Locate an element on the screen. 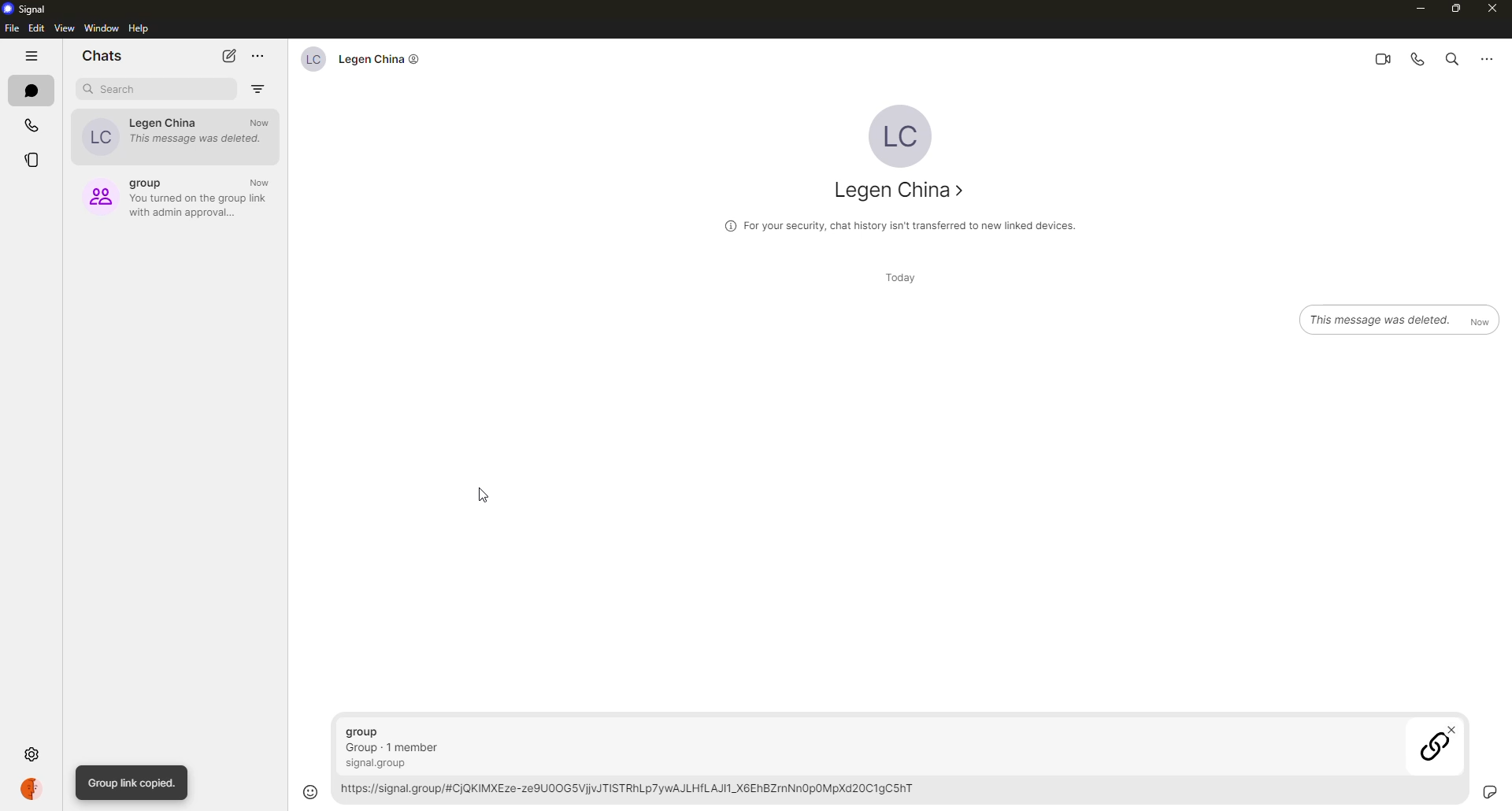 The image size is (1512, 811). cursor is located at coordinates (487, 501).